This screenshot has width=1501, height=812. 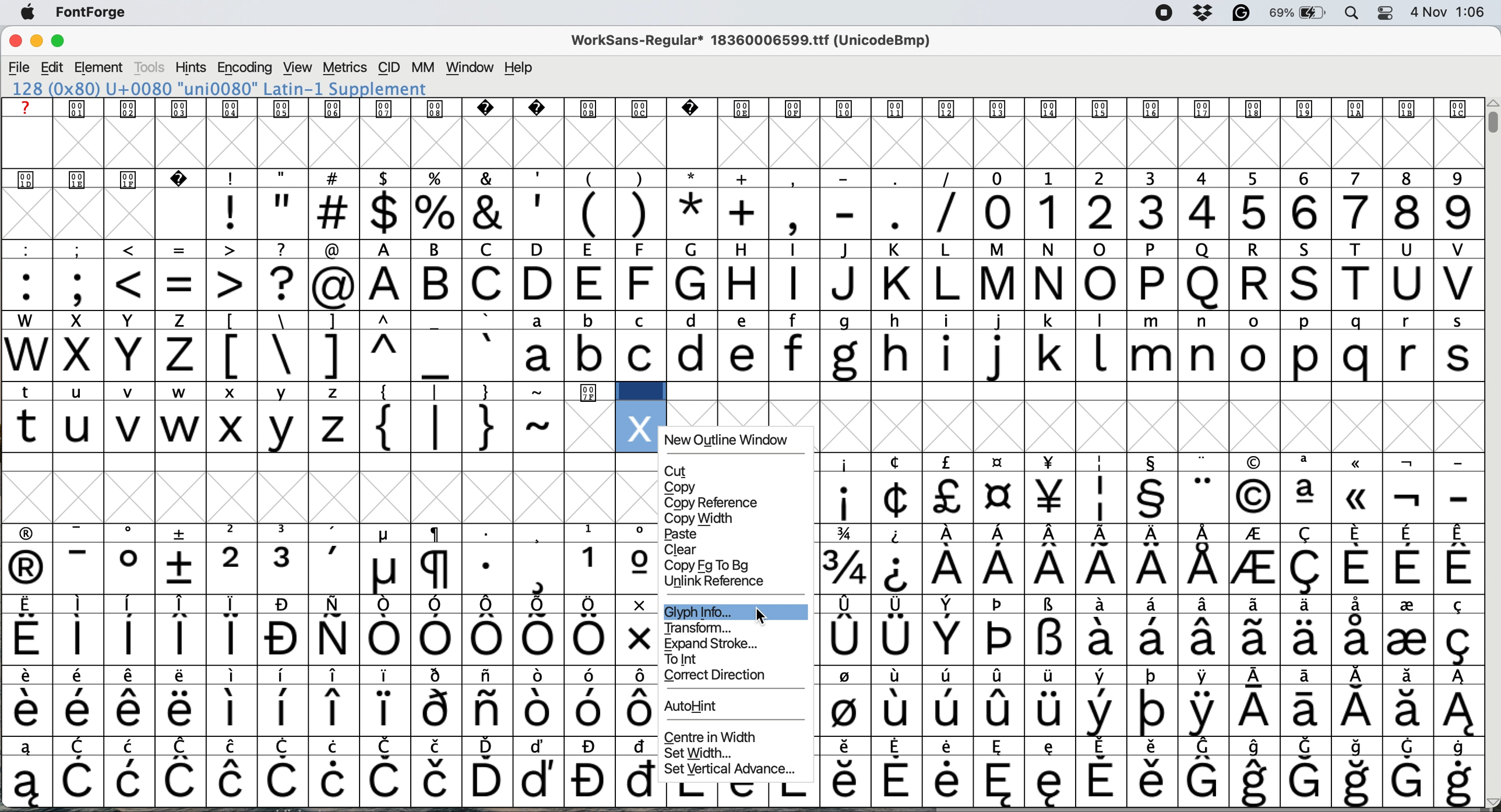 I want to click on text, so click(x=738, y=108).